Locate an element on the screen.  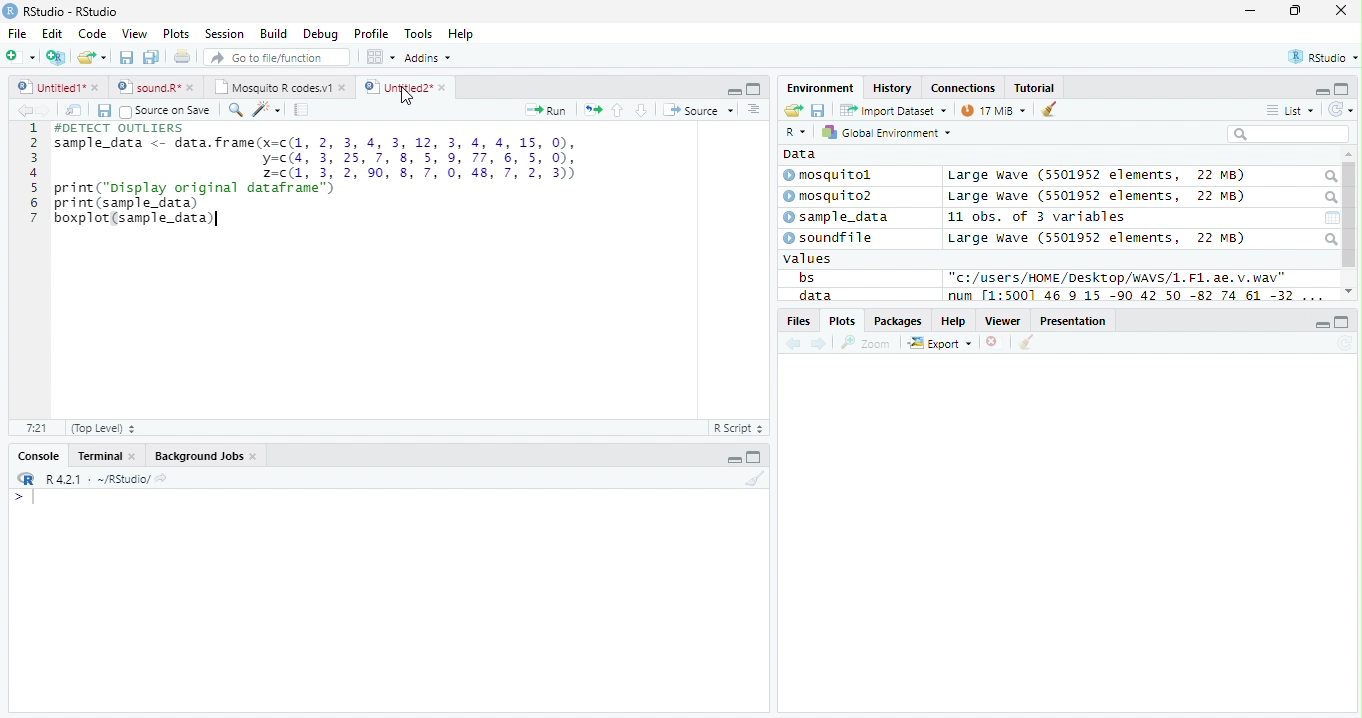
search is located at coordinates (1329, 198).